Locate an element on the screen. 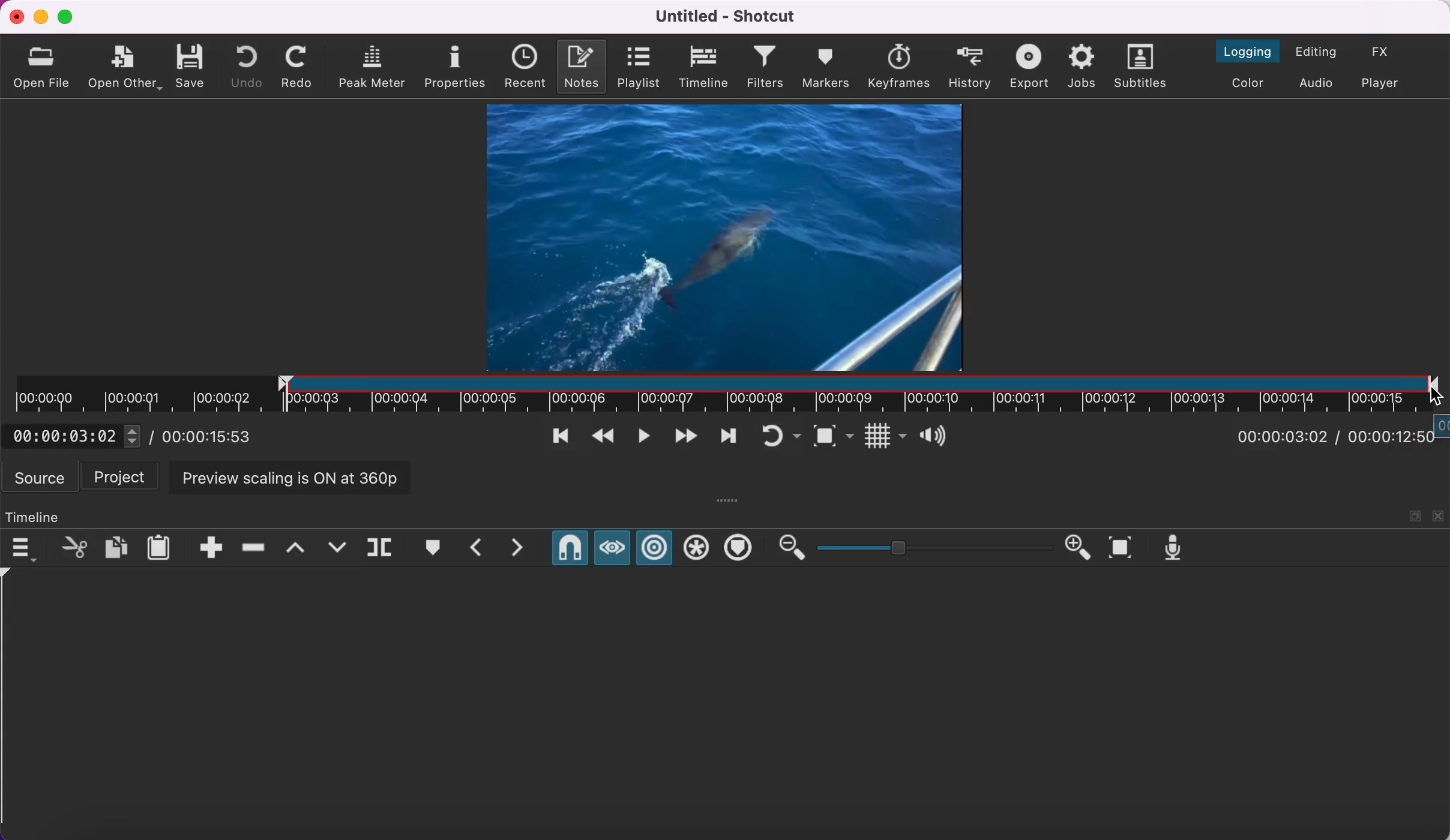 This screenshot has width=1450, height=840. total duration is located at coordinates (1397, 438).